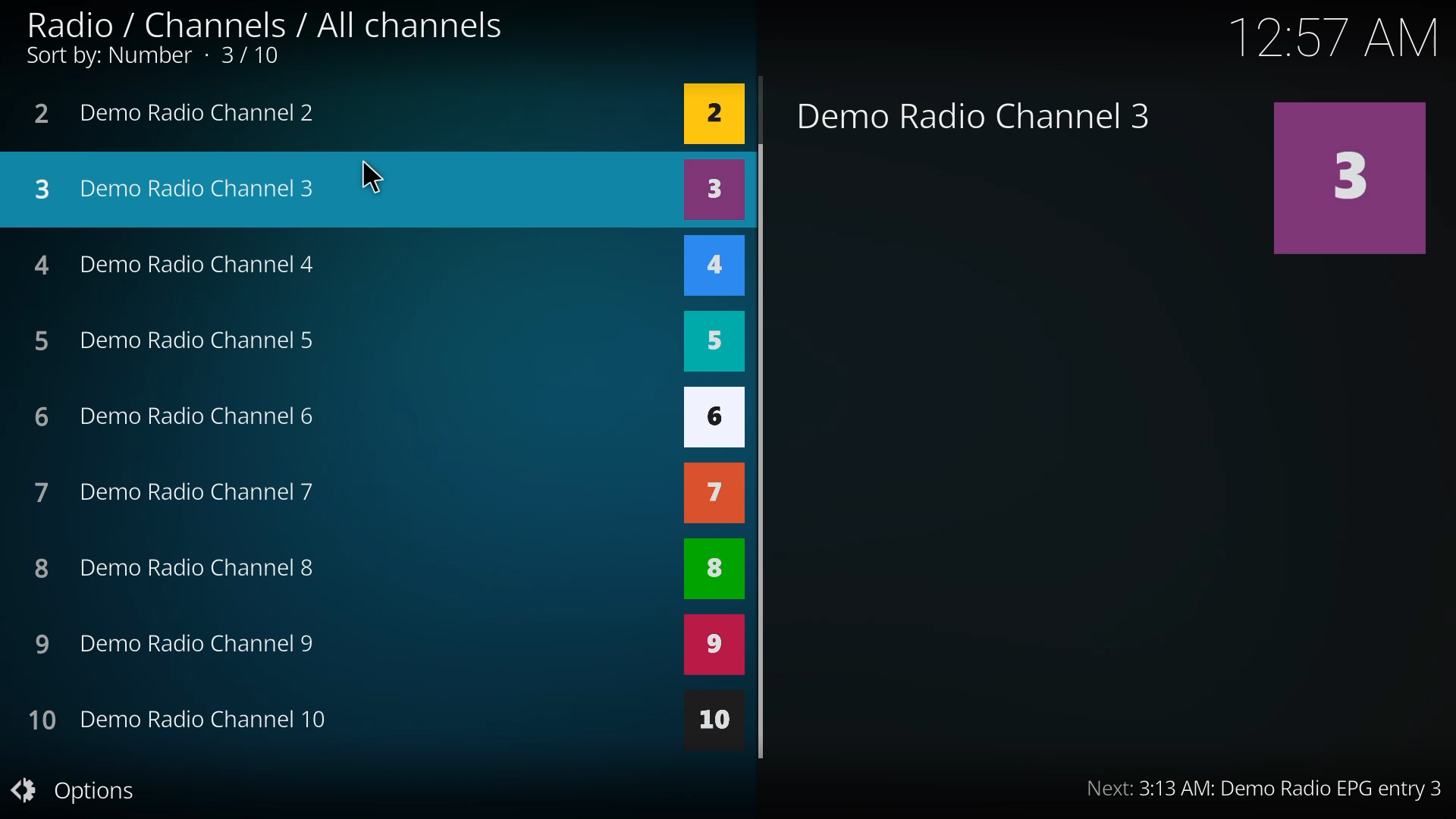 This screenshot has height=819, width=1456. I want to click on 5, so click(711, 344).